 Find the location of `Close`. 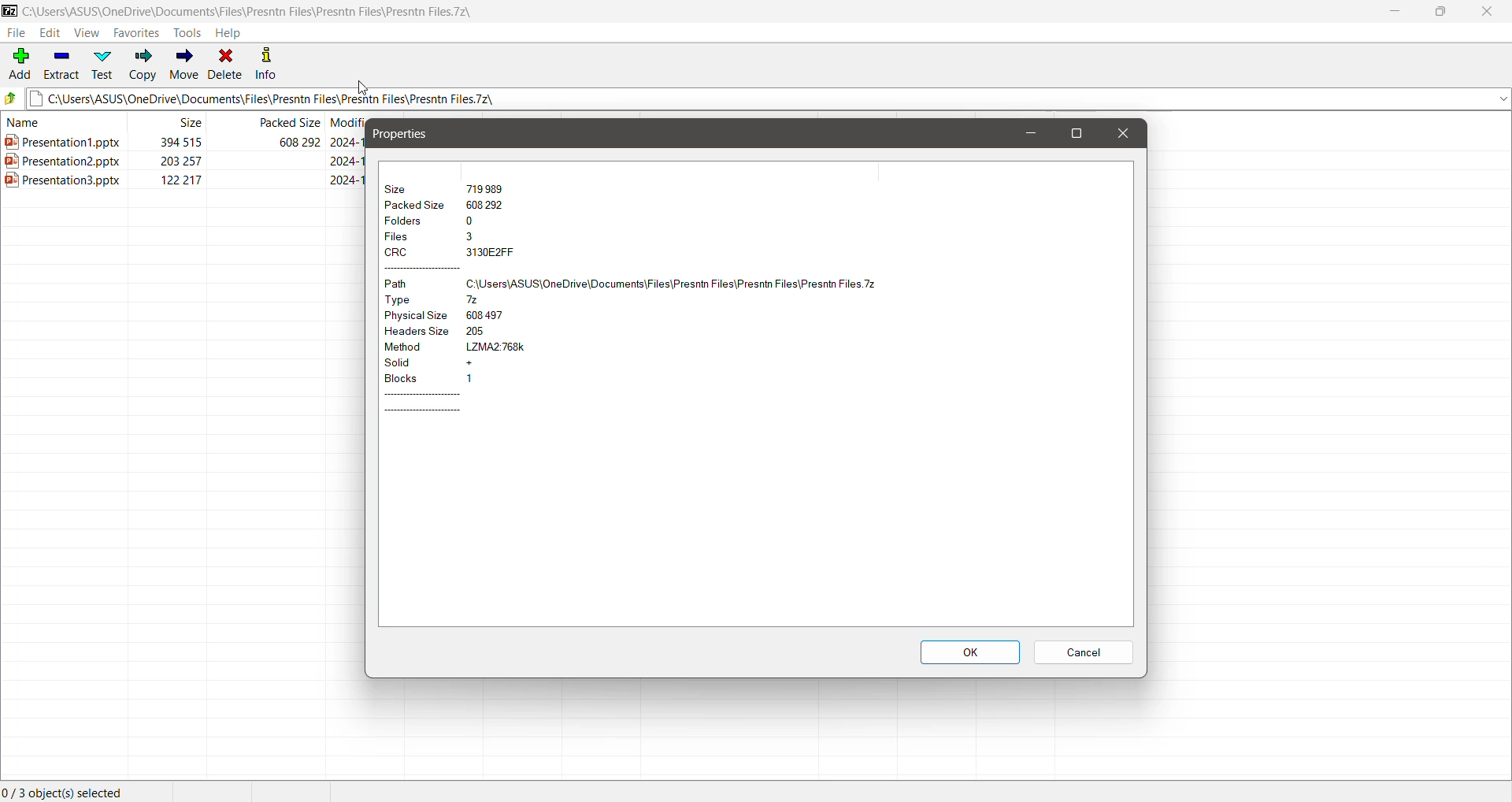

Close is located at coordinates (1121, 133).